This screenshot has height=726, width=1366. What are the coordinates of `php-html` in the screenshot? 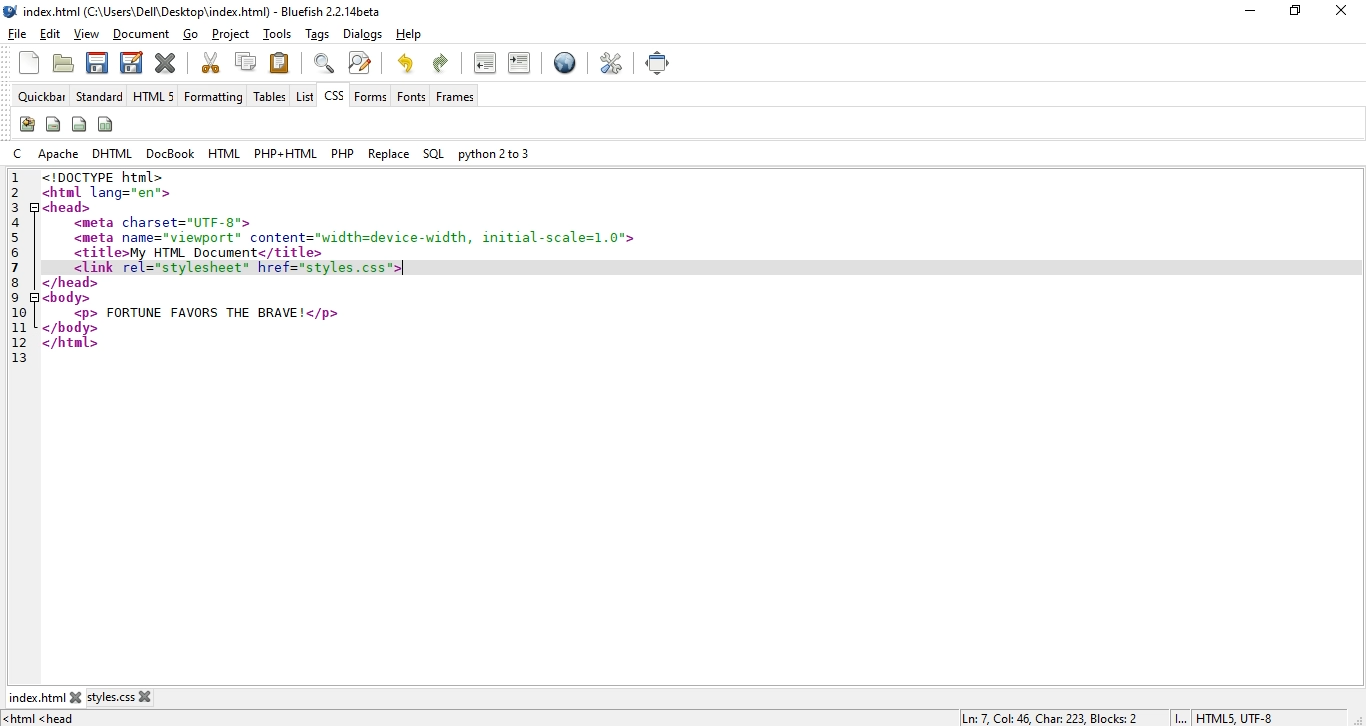 It's located at (285, 154).